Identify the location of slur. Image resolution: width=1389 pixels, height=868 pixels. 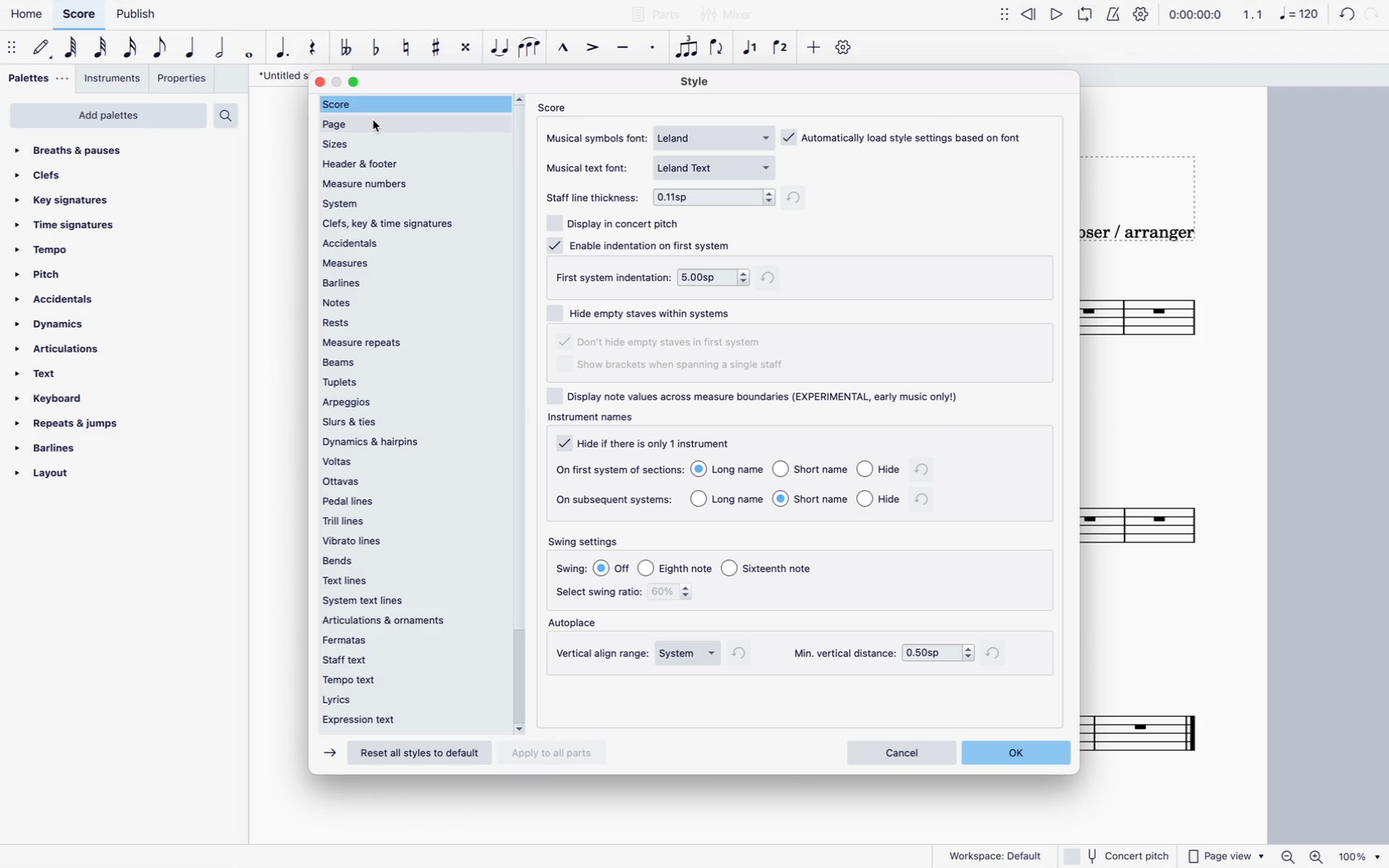
(532, 51).